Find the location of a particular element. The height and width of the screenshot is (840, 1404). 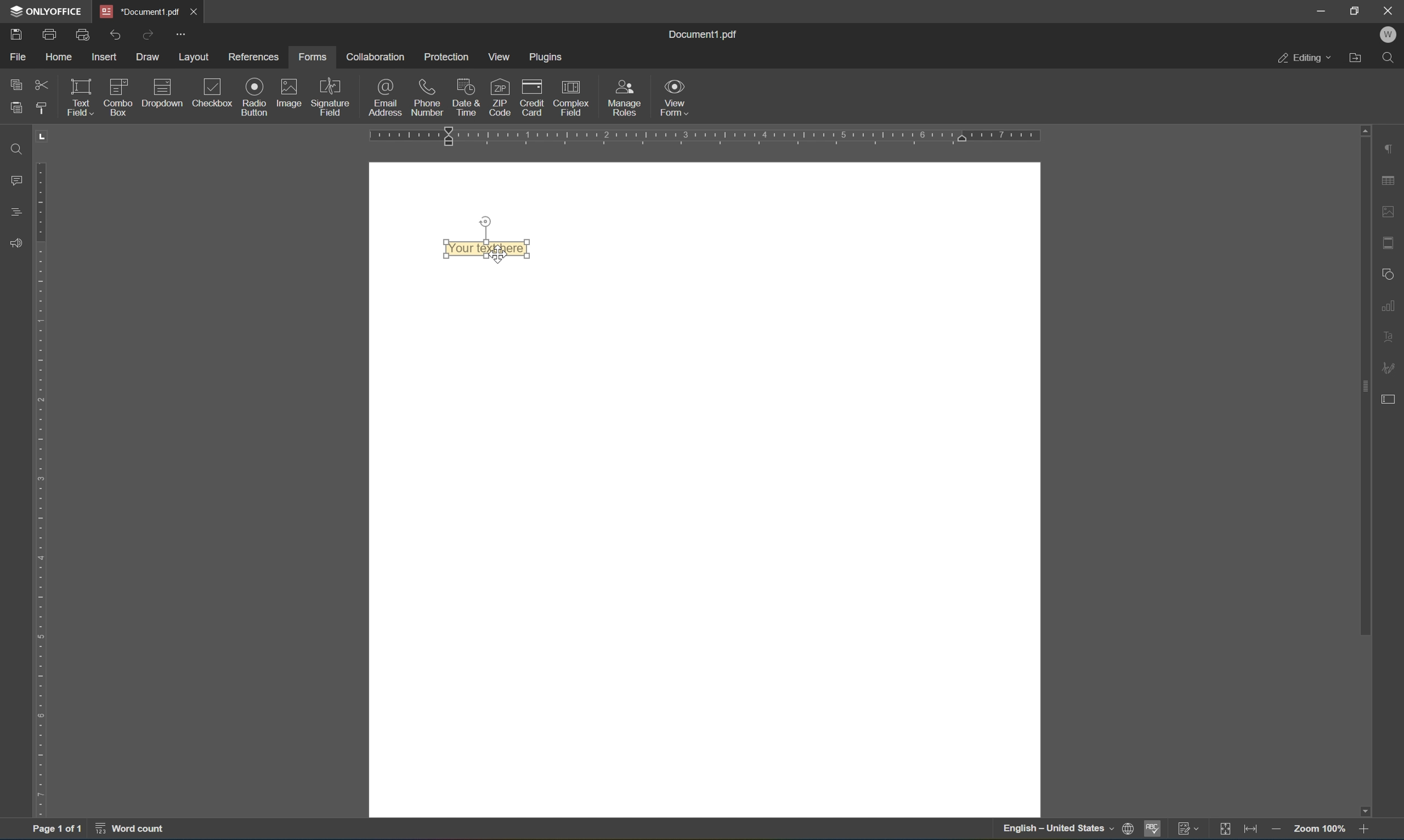

copy style is located at coordinates (40, 111).